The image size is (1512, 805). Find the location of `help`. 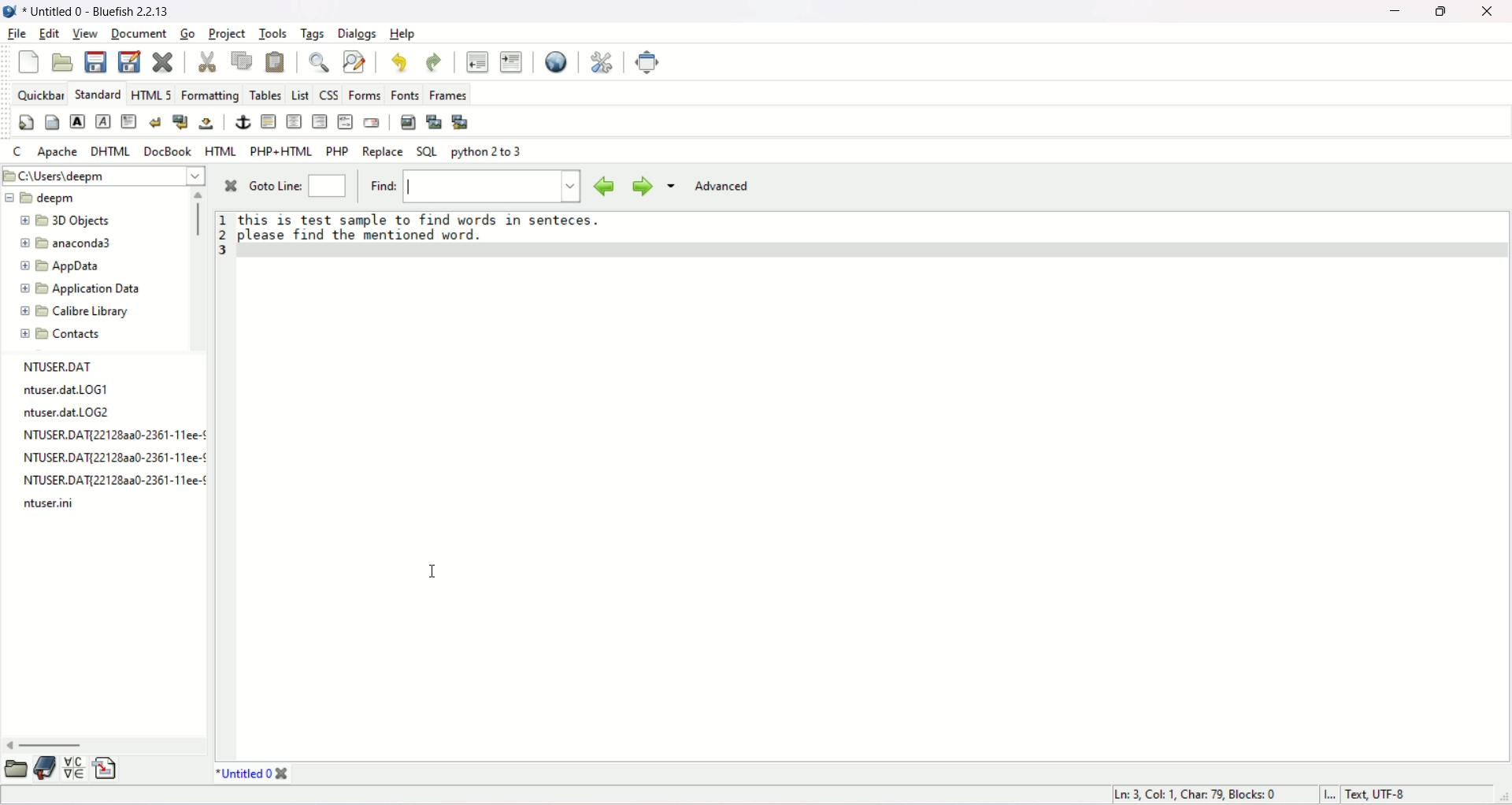

help is located at coordinates (403, 35).